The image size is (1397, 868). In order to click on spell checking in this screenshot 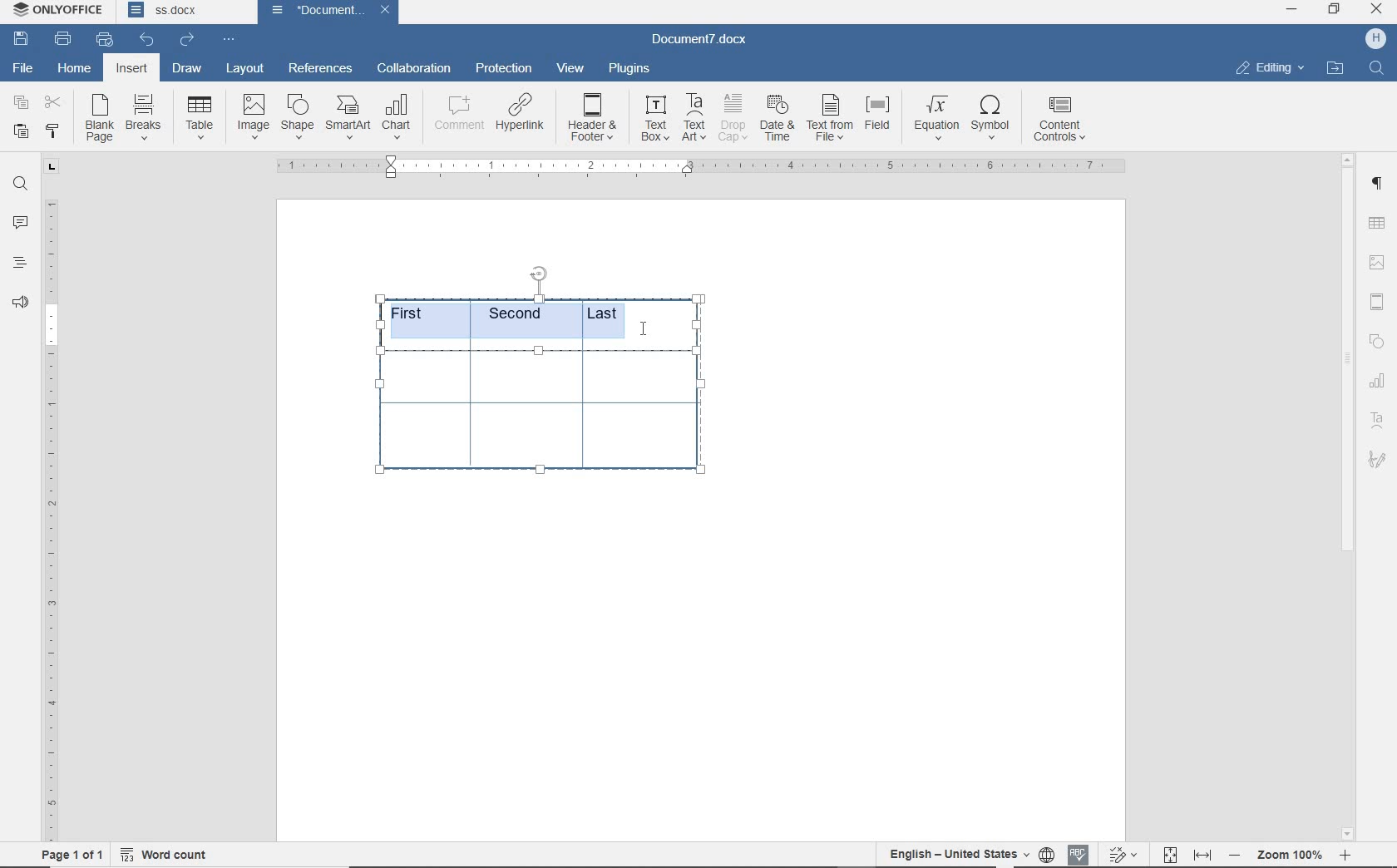, I will do `click(1079, 853)`.